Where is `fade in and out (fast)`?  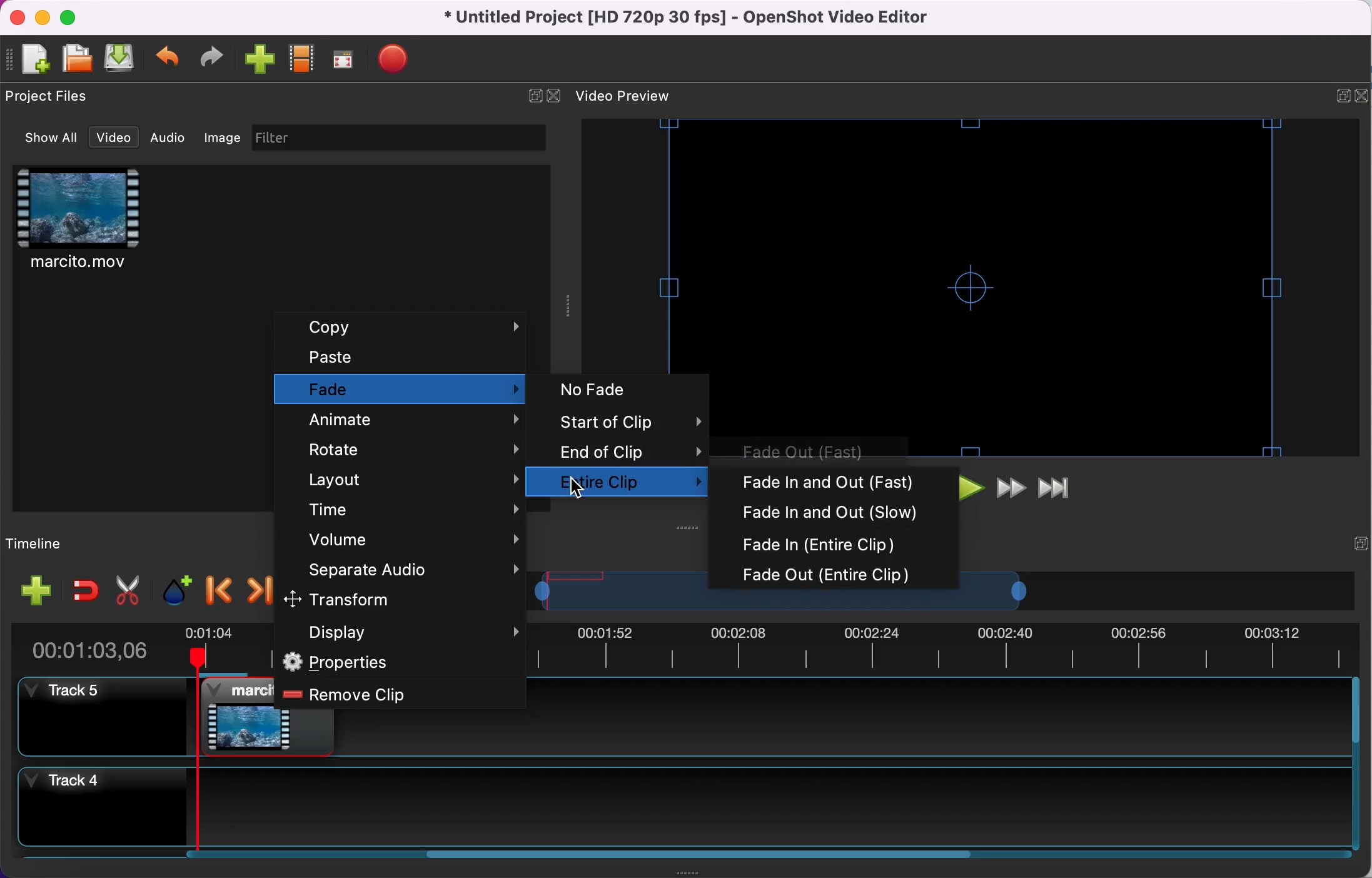
fade in and out (fast) is located at coordinates (838, 480).